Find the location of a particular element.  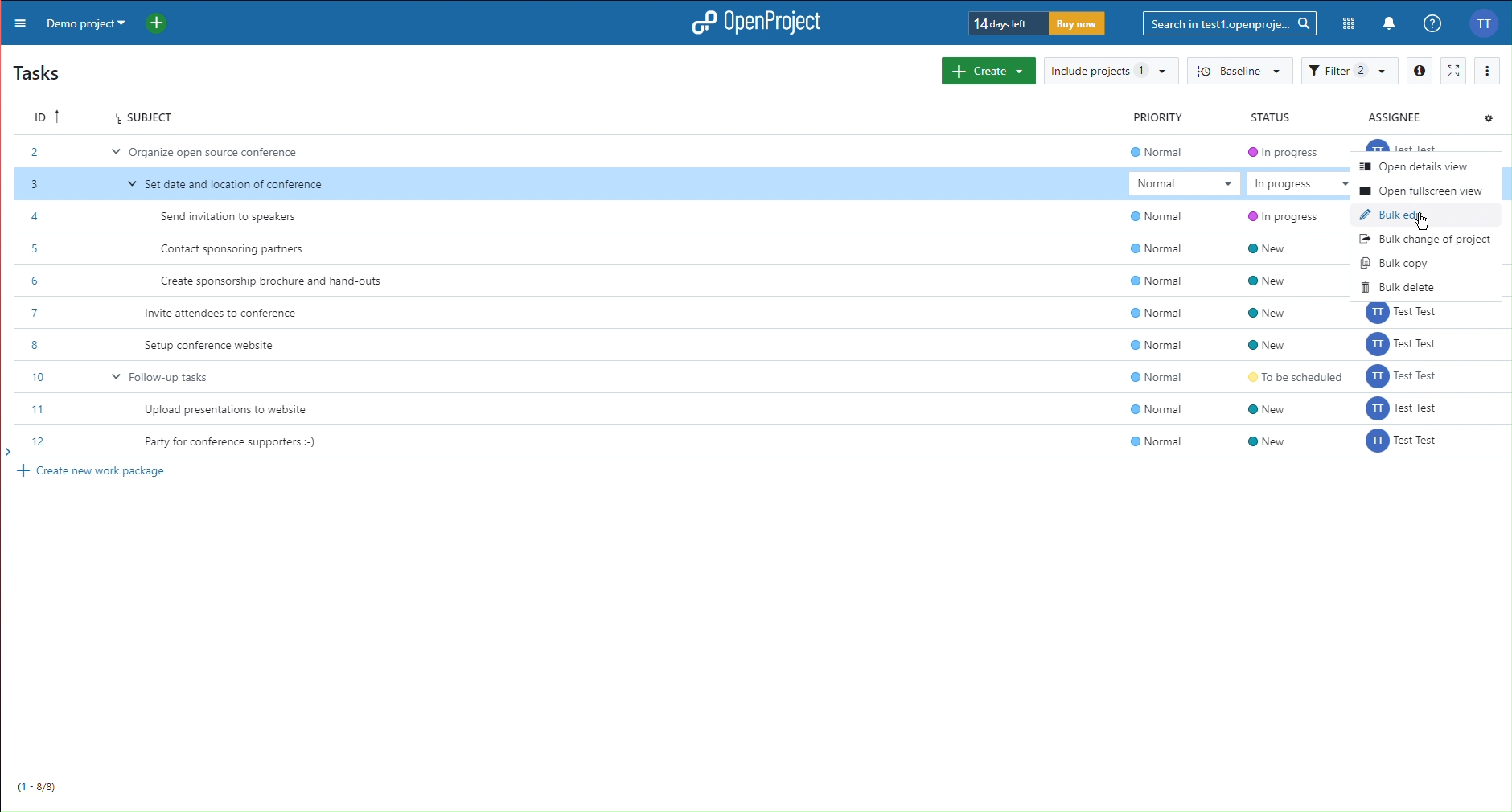

Set date and location of conference is located at coordinates (229, 185).